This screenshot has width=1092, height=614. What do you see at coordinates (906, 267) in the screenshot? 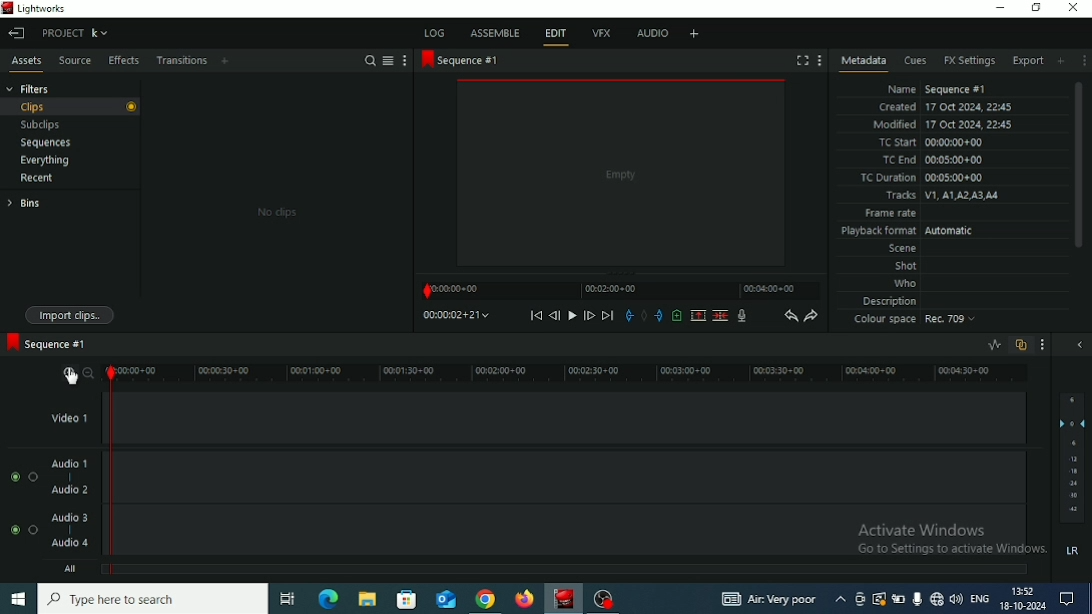
I see `Shot` at bounding box center [906, 267].